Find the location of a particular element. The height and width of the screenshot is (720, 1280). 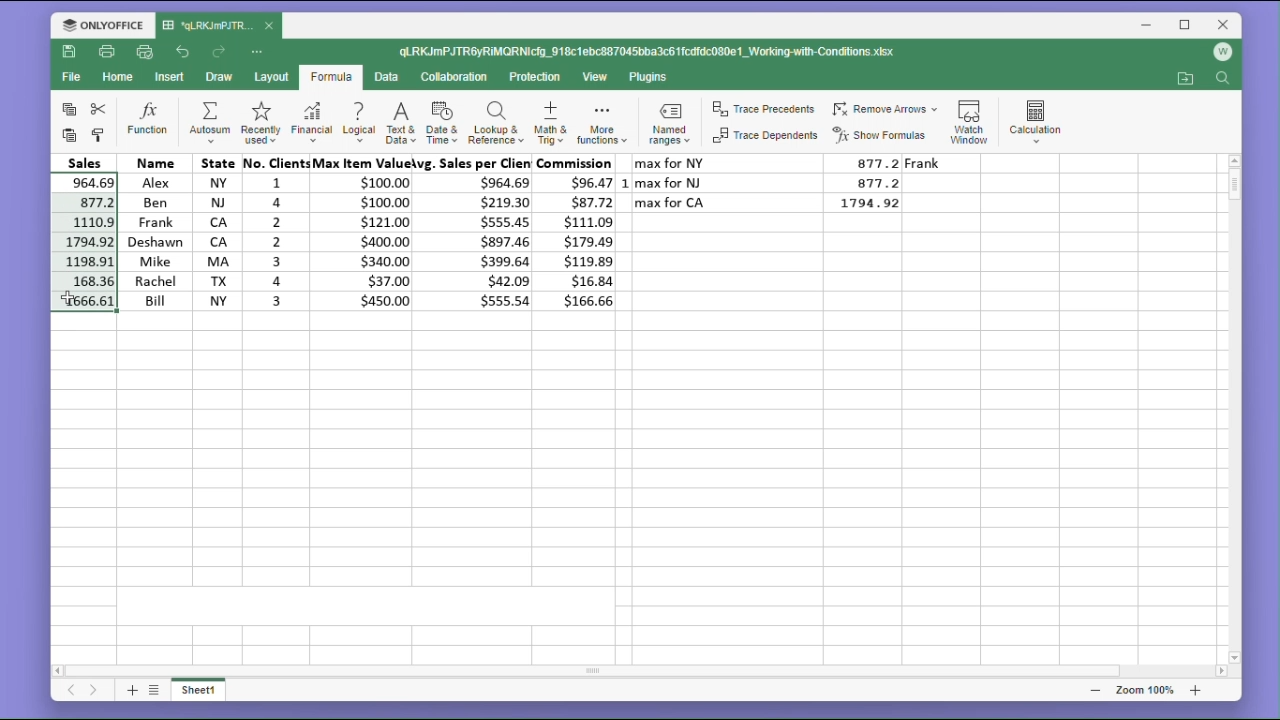

copy is located at coordinates (66, 110).